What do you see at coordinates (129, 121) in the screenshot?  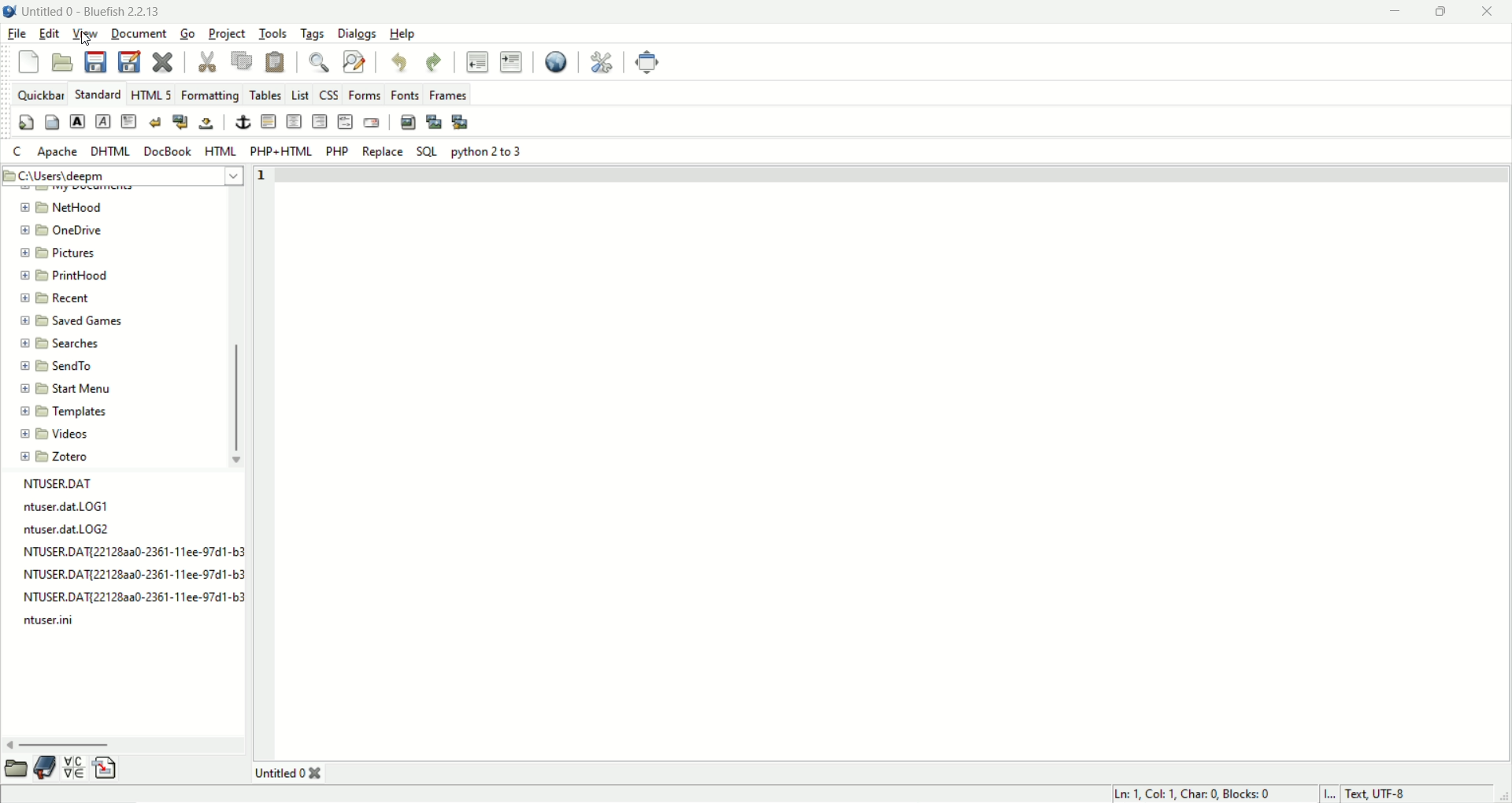 I see `paragraph` at bounding box center [129, 121].